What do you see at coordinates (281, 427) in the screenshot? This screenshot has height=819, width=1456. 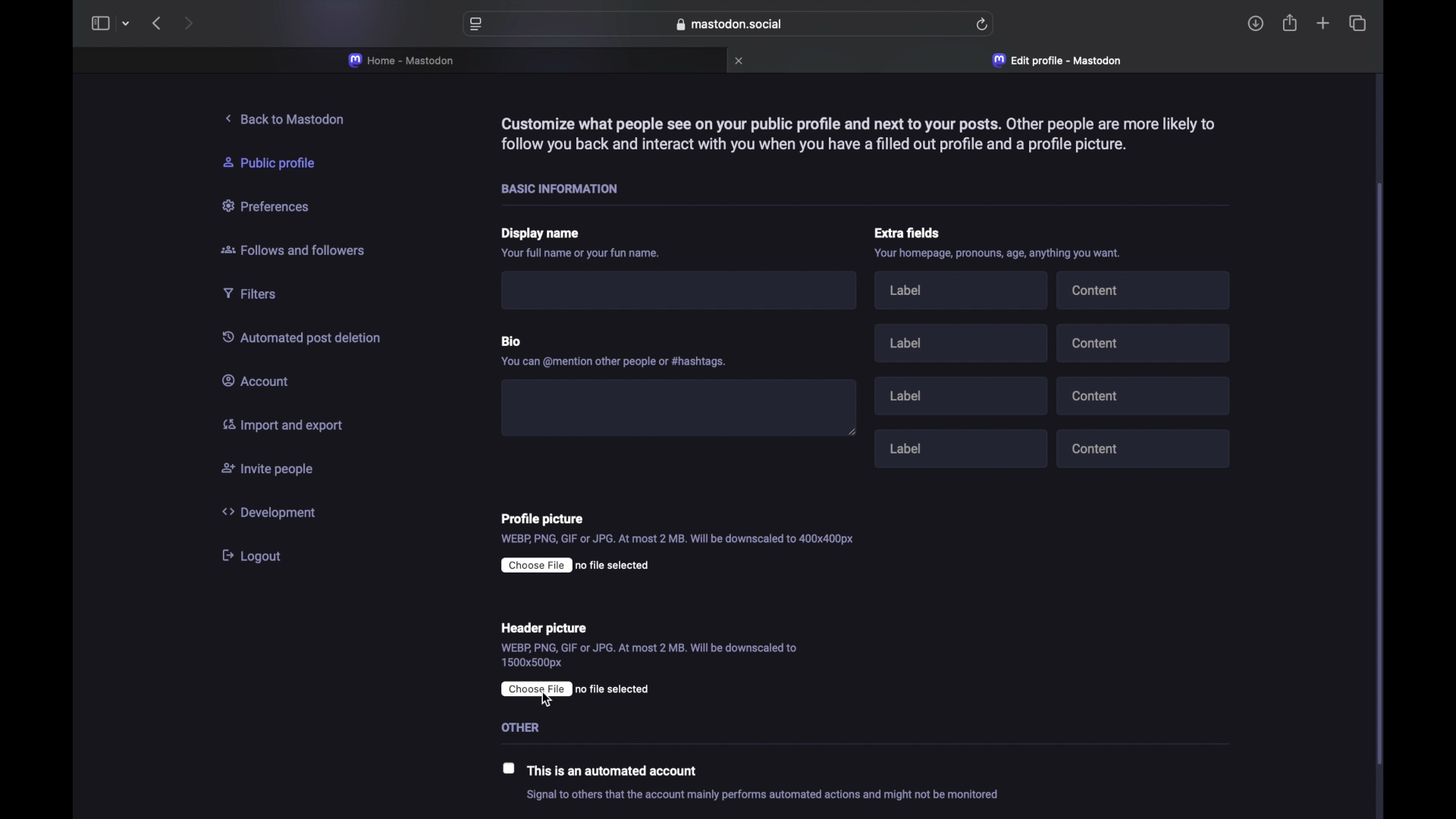 I see `import and export` at bounding box center [281, 427].